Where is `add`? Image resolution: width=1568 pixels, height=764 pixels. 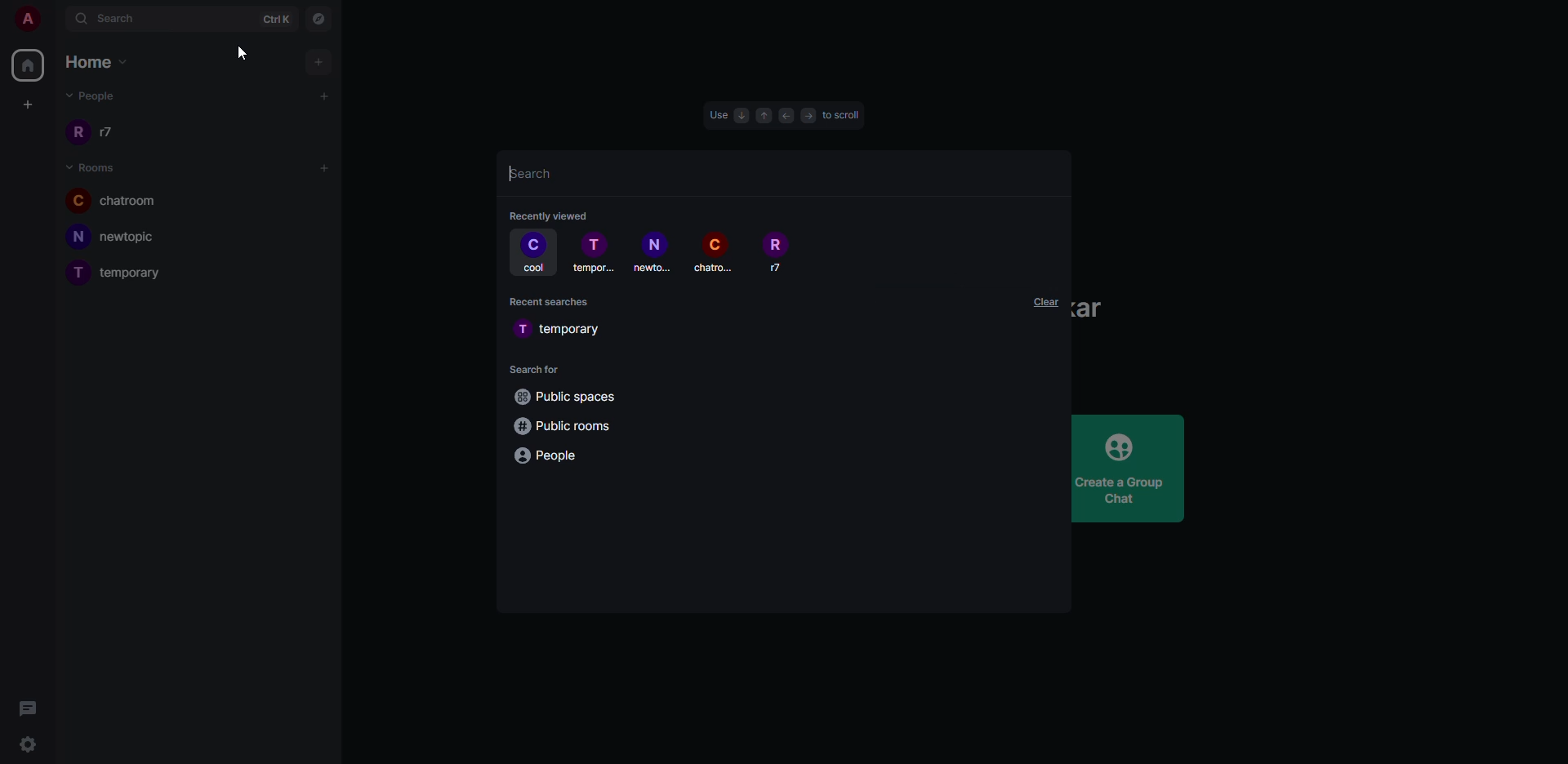
add is located at coordinates (327, 169).